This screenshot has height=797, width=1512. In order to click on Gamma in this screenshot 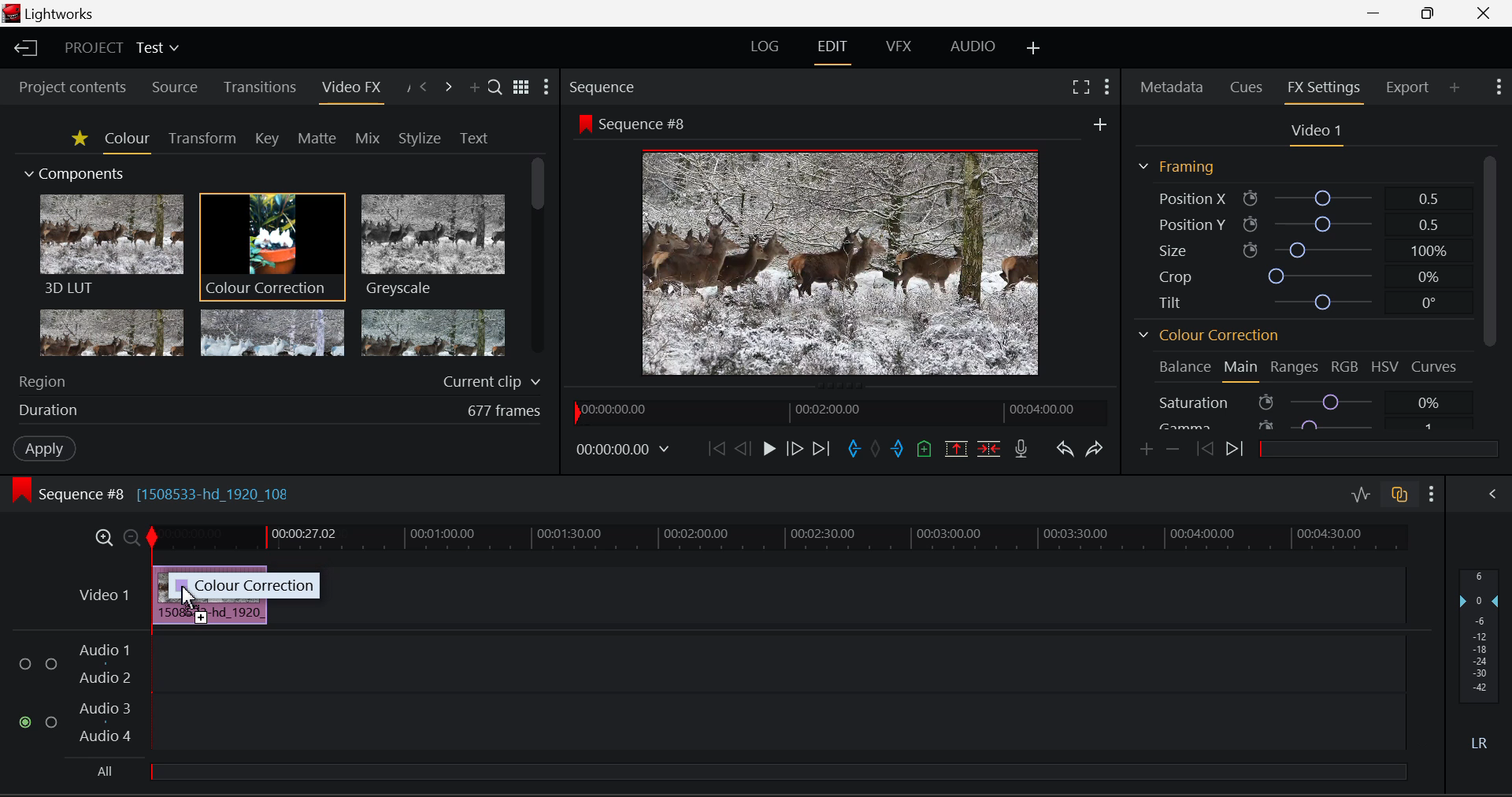, I will do `click(1298, 424)`.